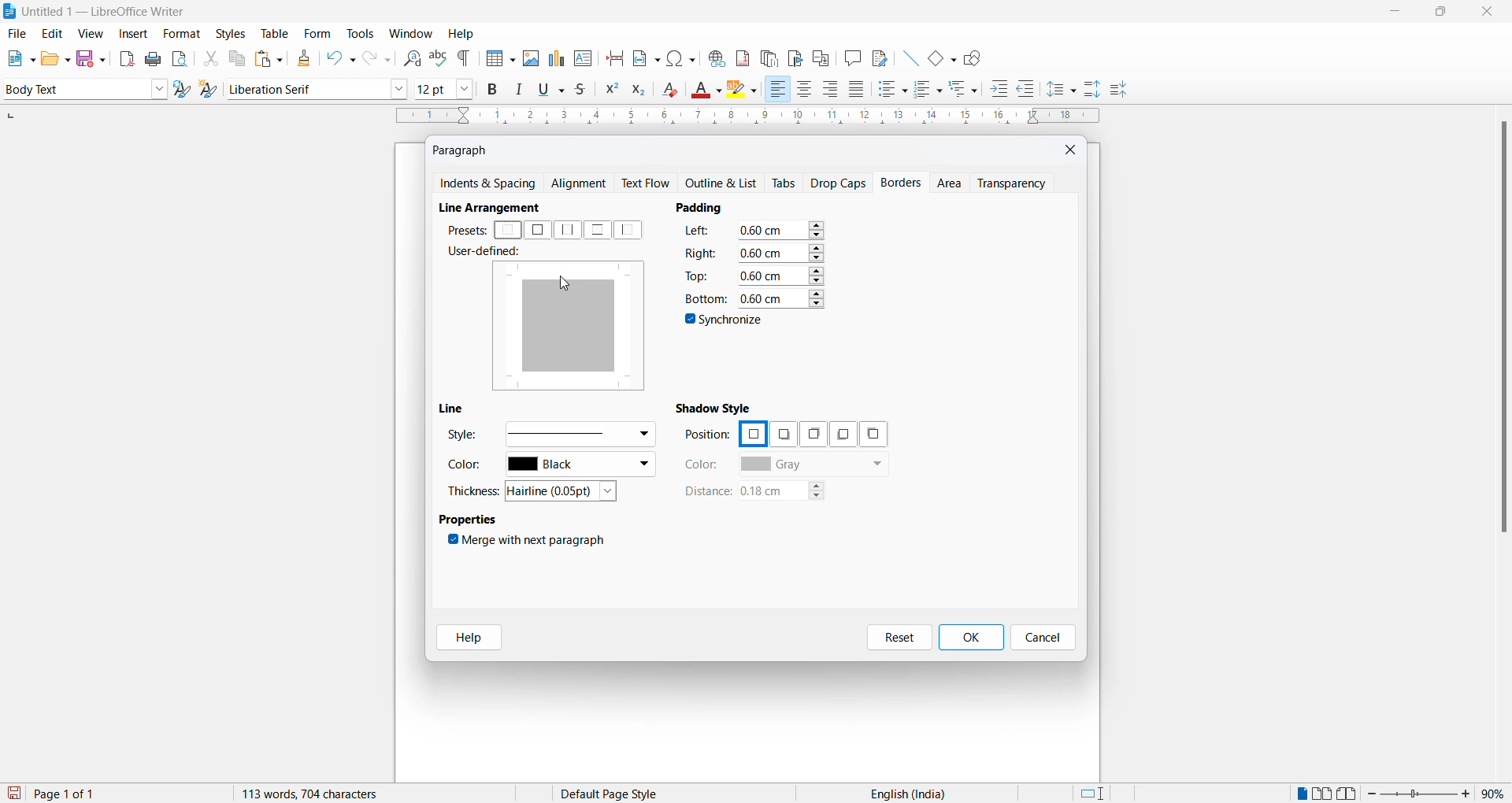  What do you see at coordinates (275, 33) in the screenshot?
I see `table` at bounding box center [275, 33].